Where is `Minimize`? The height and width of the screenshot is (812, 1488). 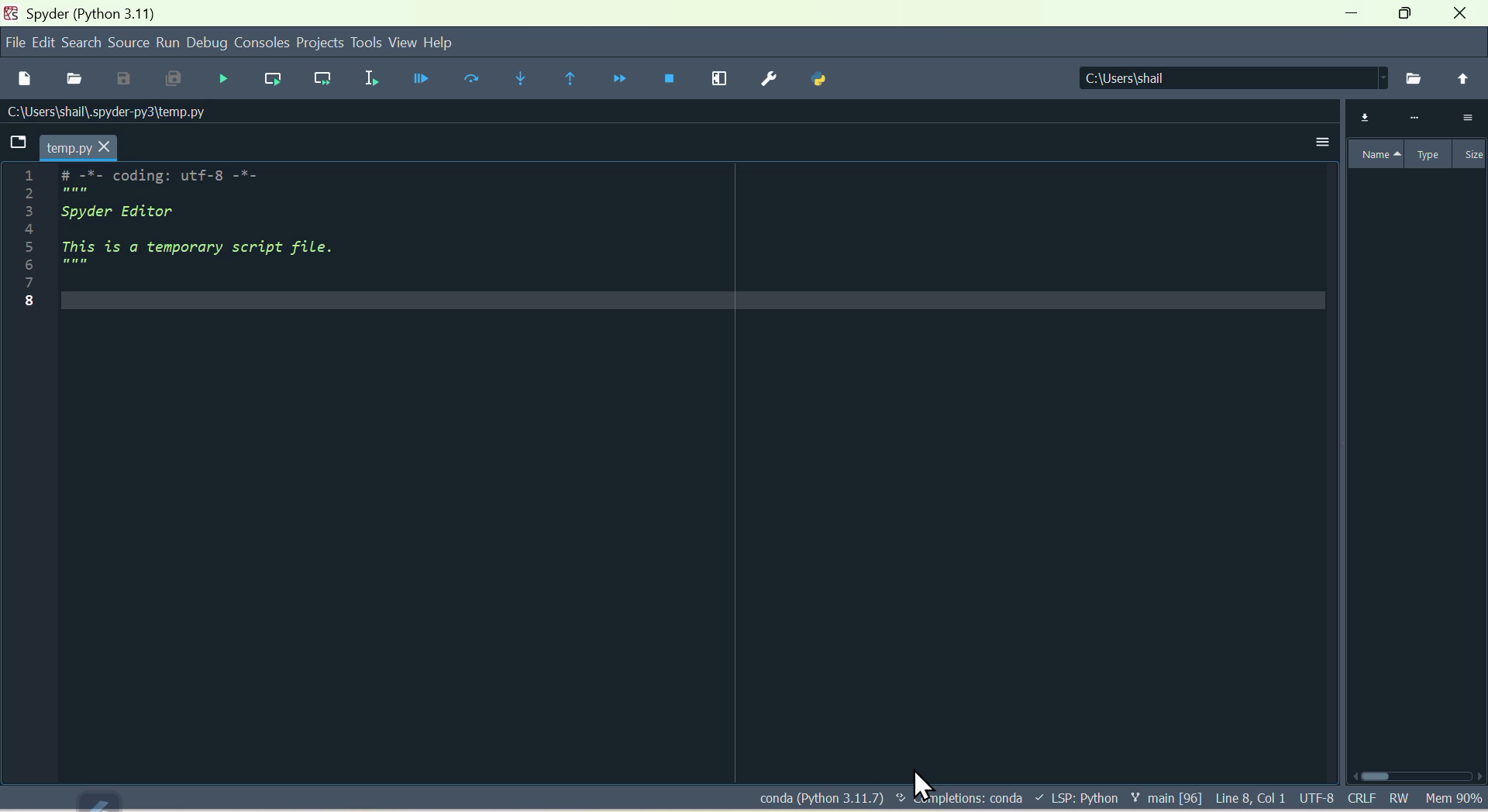
Minimize is located at coordinates (1355, 15).